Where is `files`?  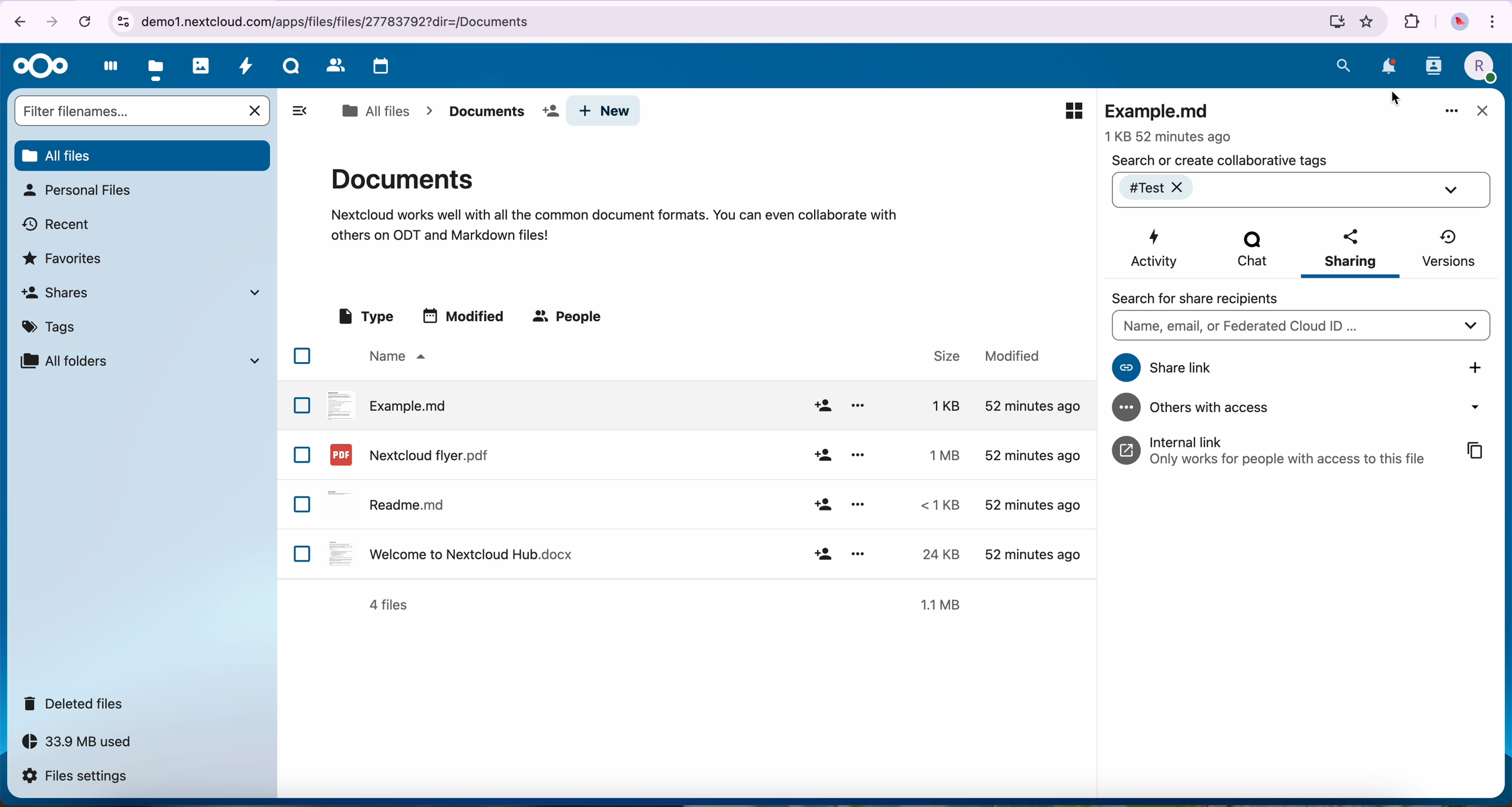 files is located at coordinates (157, 67).